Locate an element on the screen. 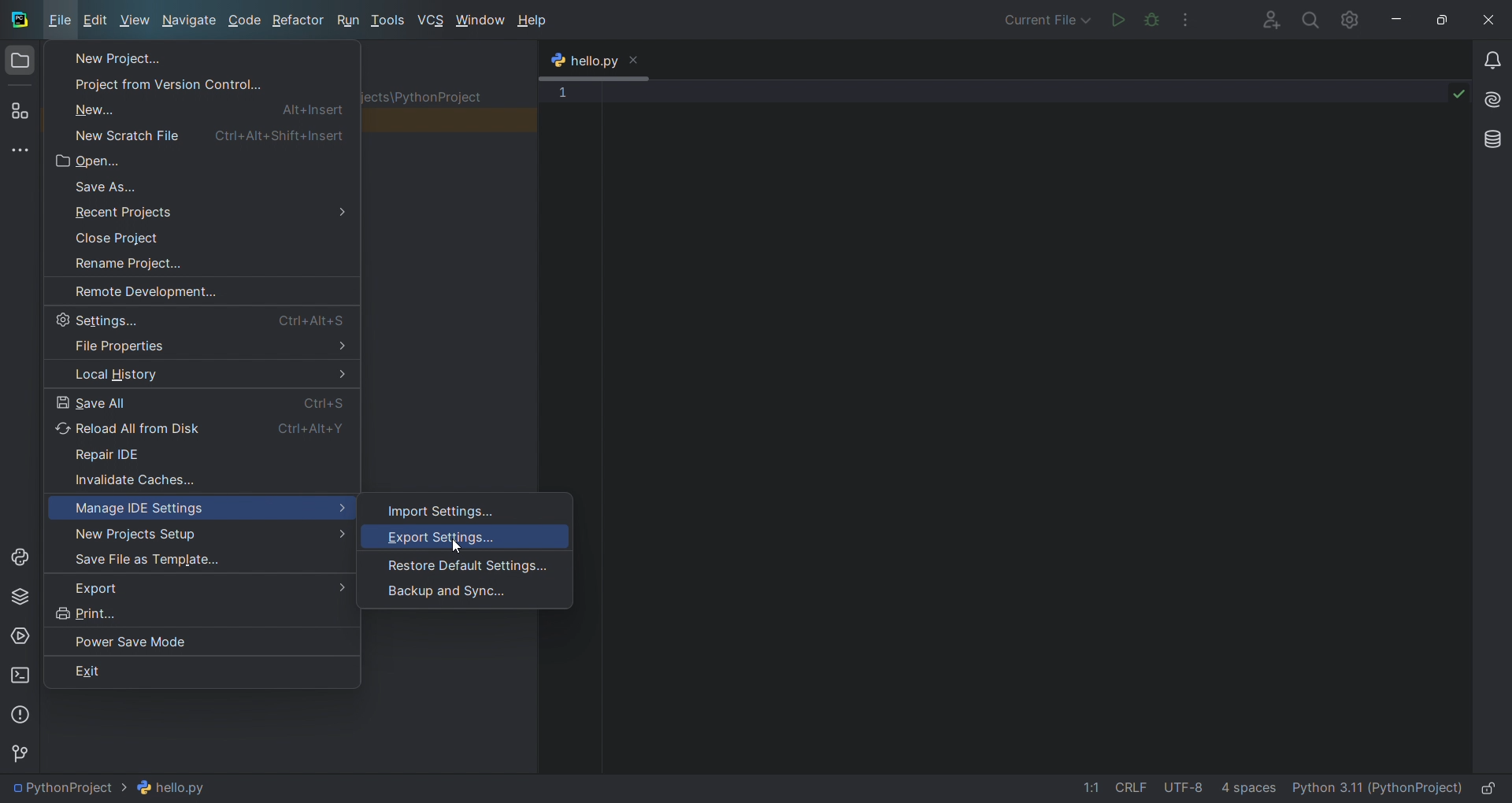 The height and width of the screenshot is (803, 1512). invalidate cache is located at coordinates (202, 477).